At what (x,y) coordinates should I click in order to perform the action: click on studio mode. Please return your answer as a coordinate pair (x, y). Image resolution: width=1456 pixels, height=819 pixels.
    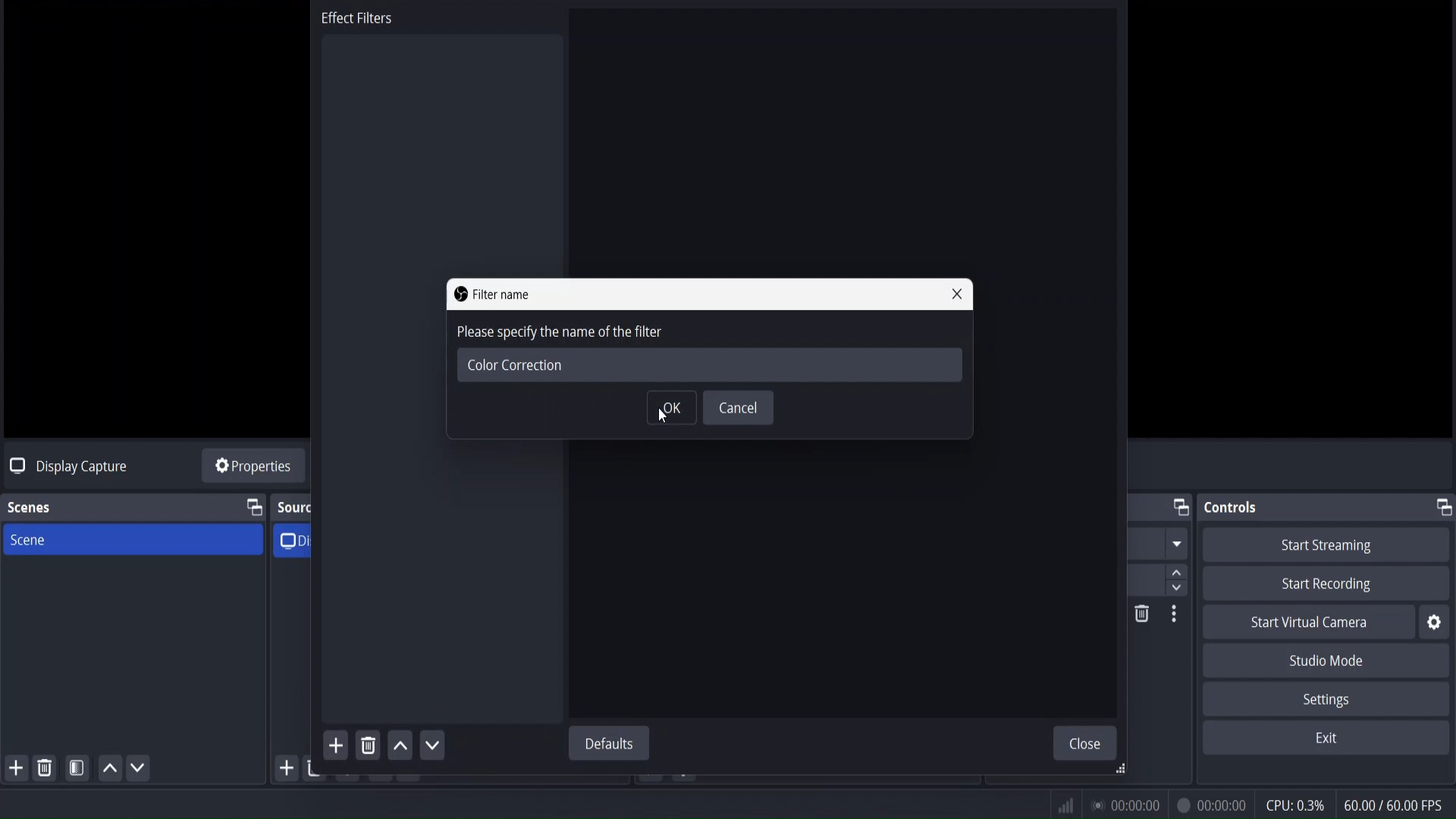
    Looking at the image, I should click on (1329, 661).